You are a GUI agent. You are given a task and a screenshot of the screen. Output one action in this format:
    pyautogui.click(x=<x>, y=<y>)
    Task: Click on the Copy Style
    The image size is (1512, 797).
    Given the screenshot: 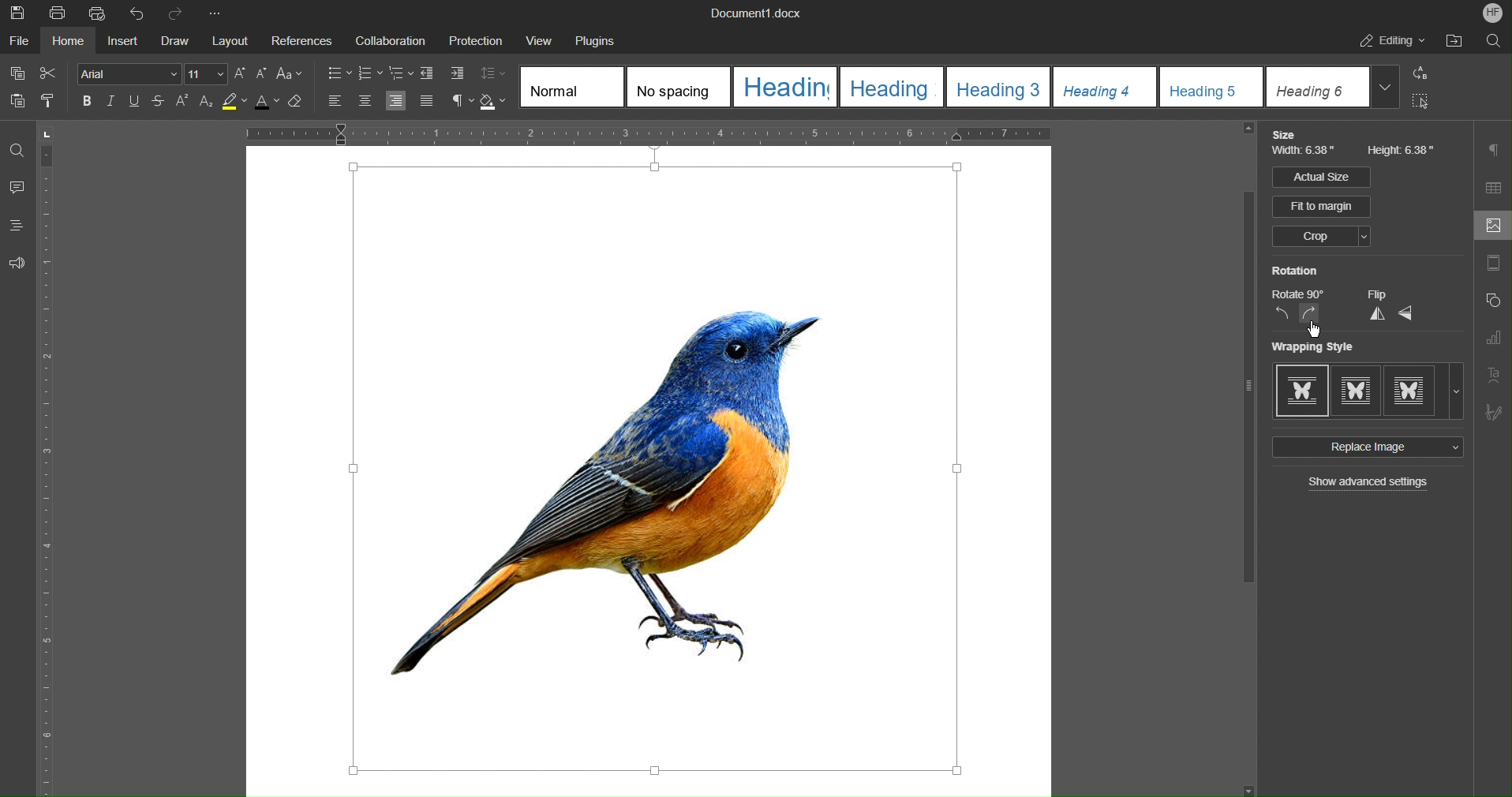 What is the action you would take?
    pyautogui.click(x=51, y=100)
    